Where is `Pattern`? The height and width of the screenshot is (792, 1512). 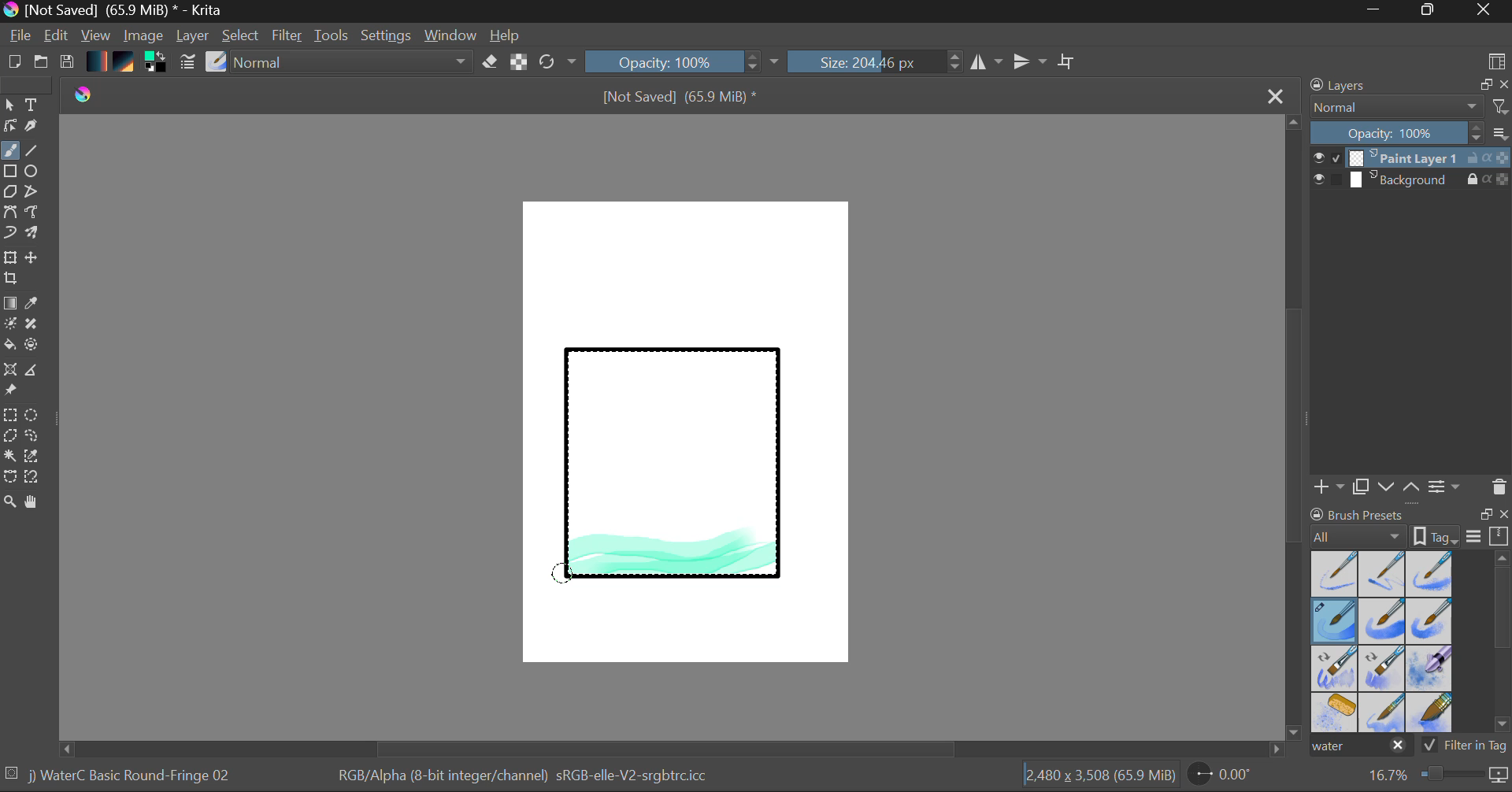
Pattern is located at coordinates (126, 63).